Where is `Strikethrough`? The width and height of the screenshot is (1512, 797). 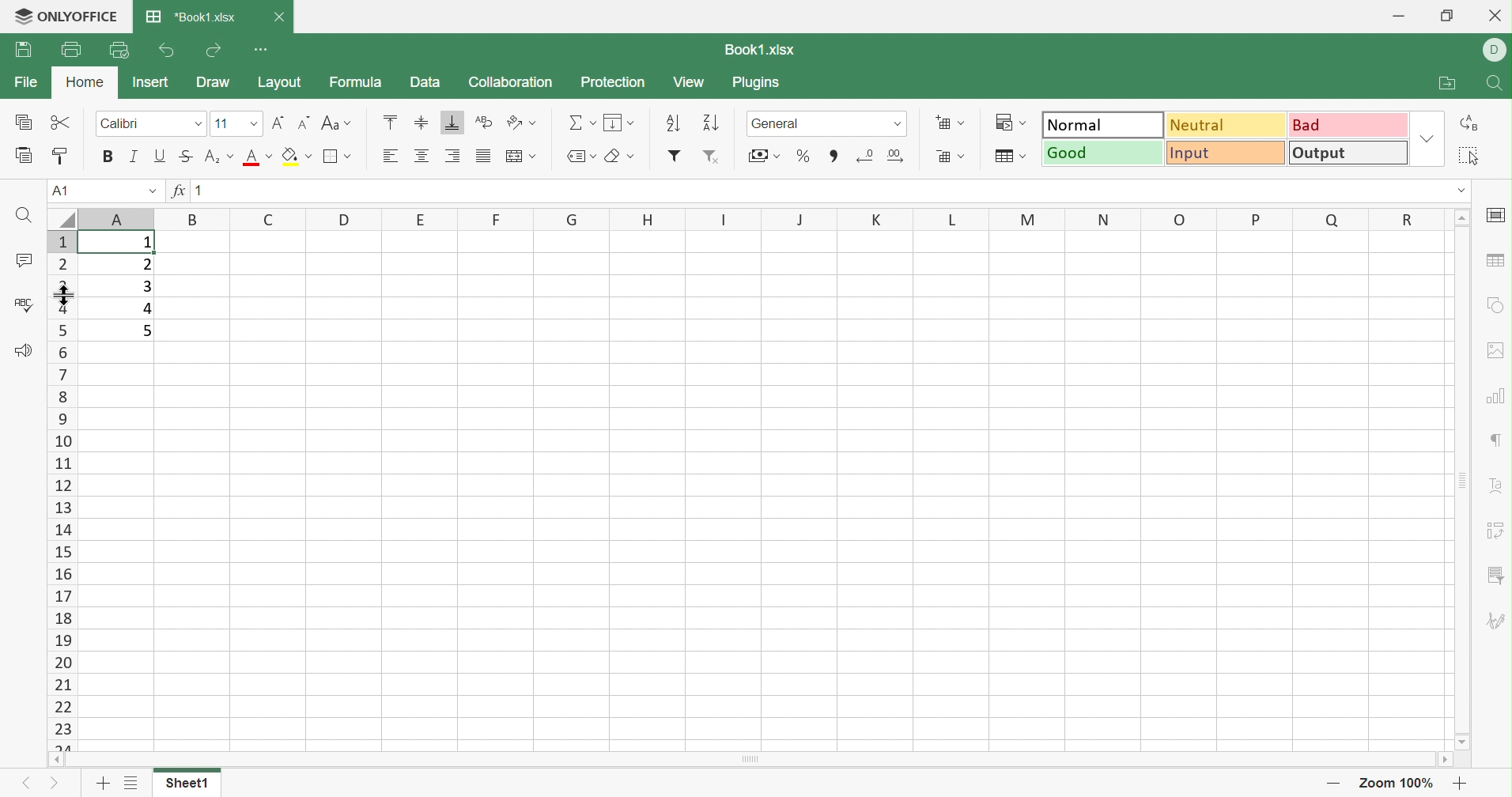
Strikethrough is located at coordinates (184, 155).